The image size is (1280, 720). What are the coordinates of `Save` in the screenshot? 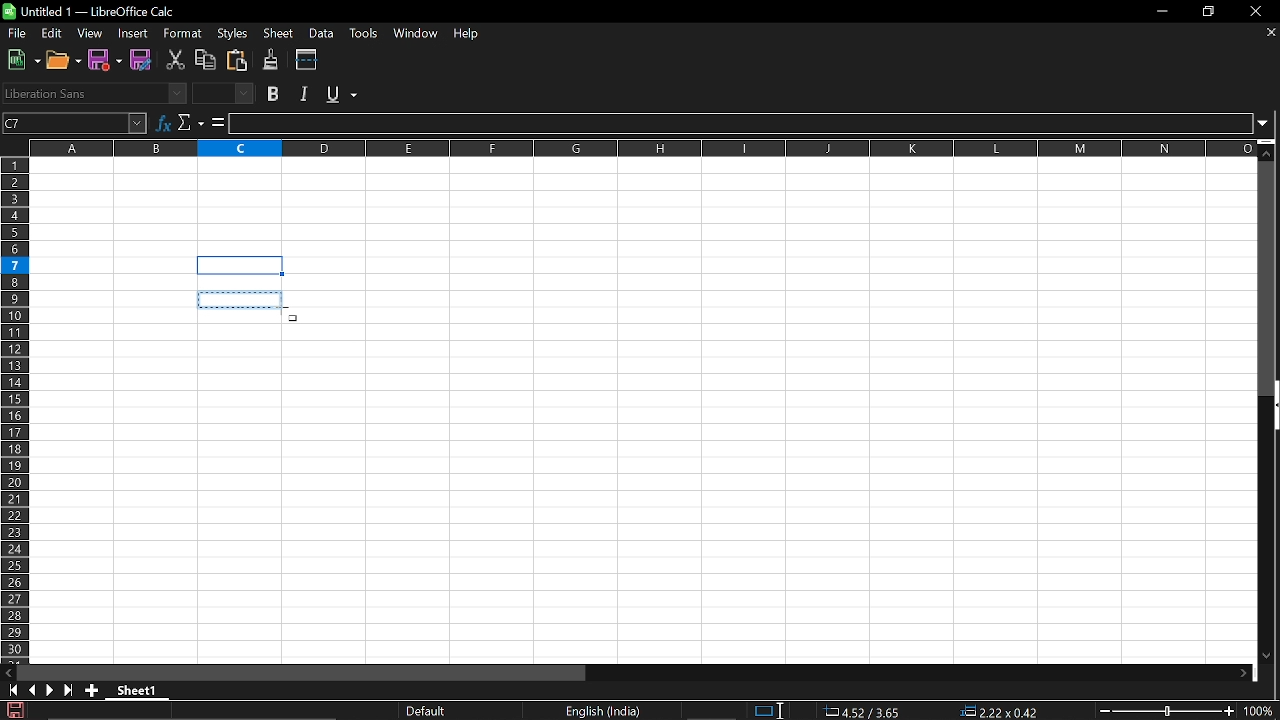 It's located at (13, 710).